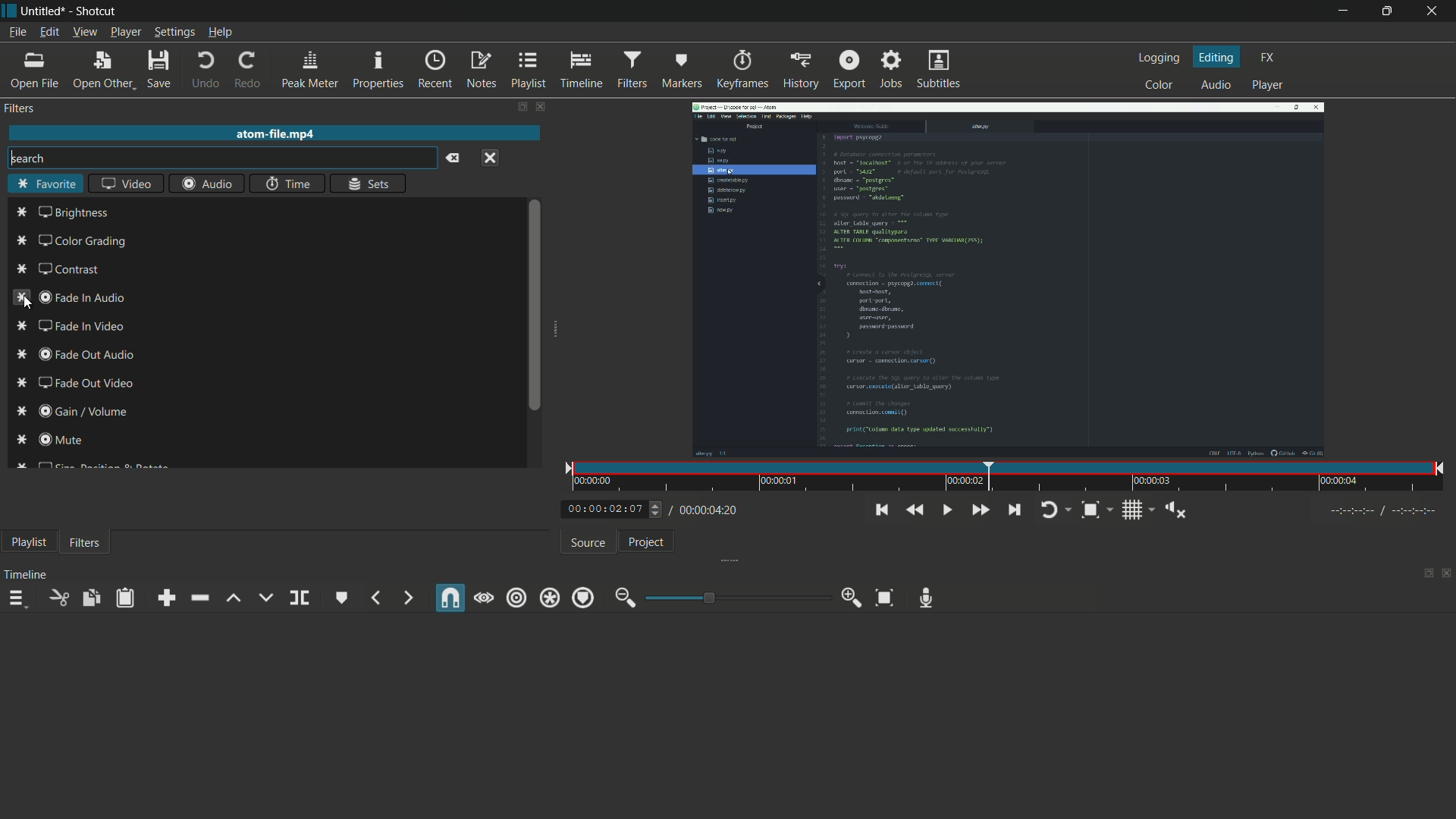  I want to click on edit menu, so click(49, 32).